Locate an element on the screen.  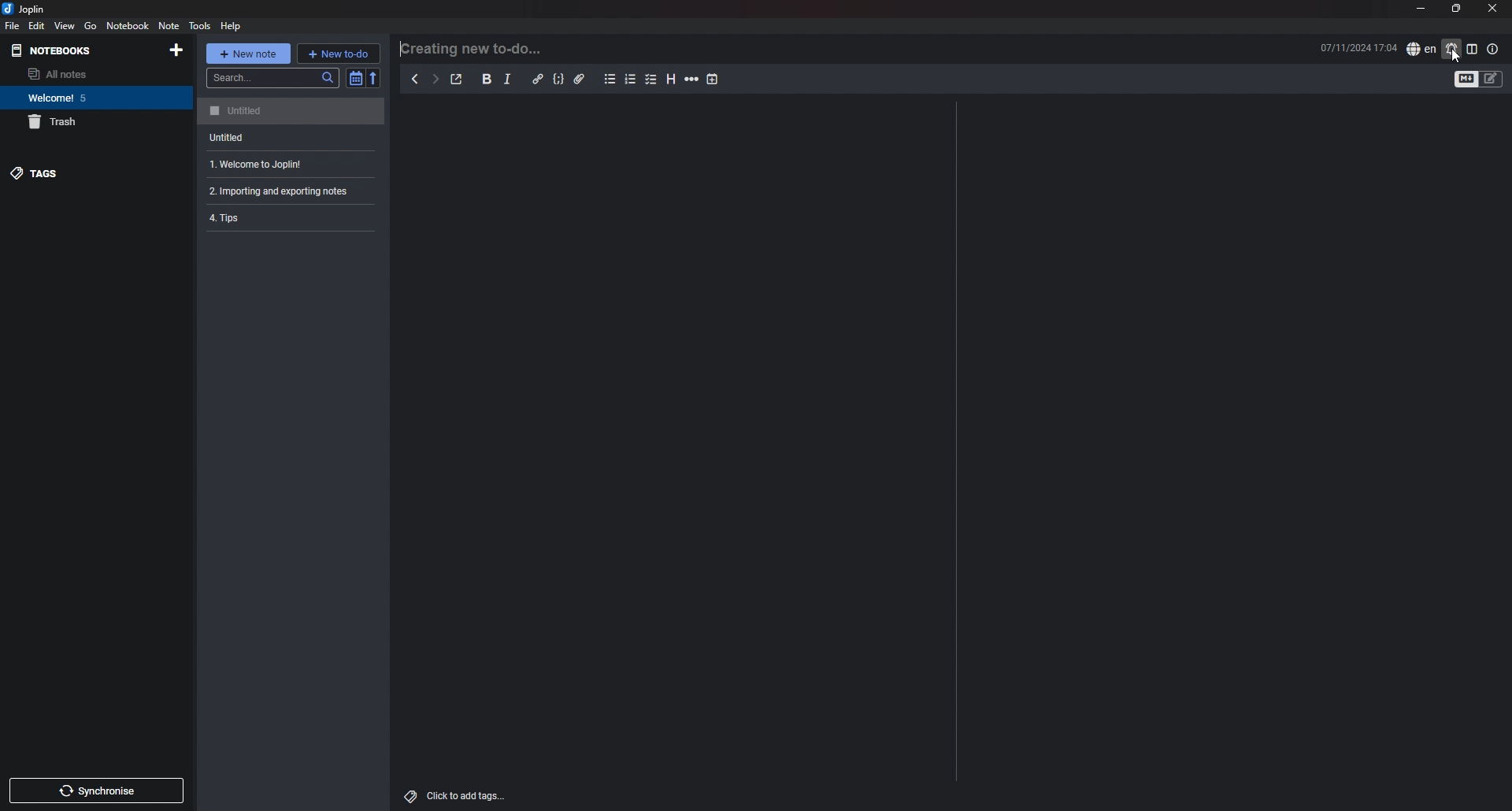
joplin is located at coordinates (31, 9).